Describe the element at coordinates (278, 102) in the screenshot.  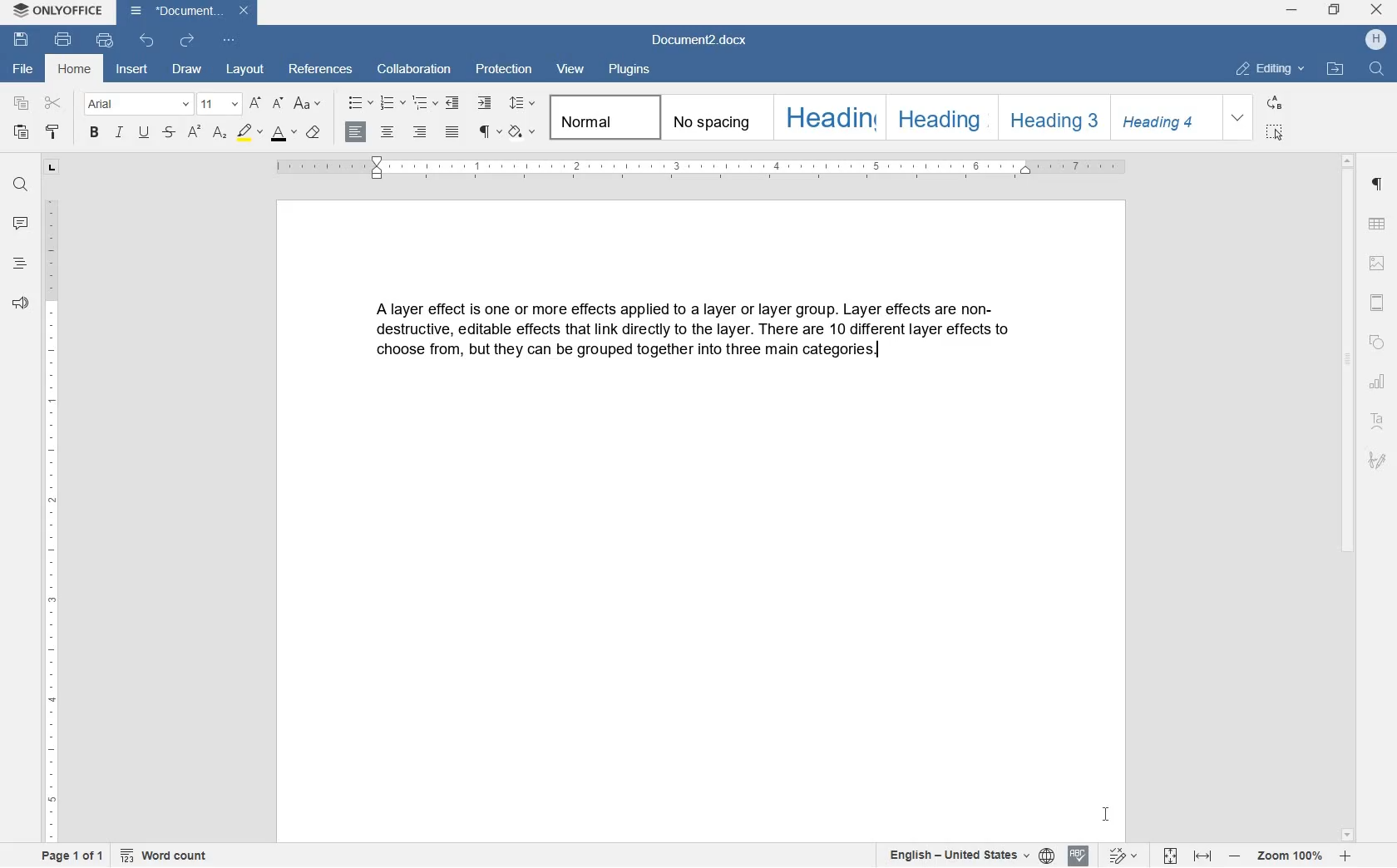
I see `DECREMENT FONT SIZE` at that location.